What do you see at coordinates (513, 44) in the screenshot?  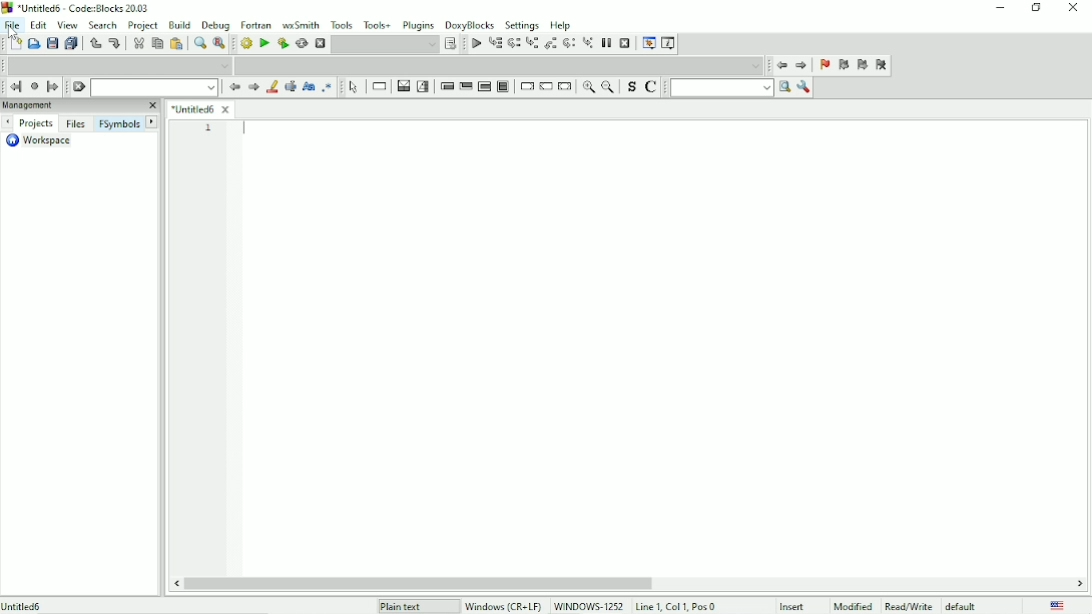 I see `Next line` at bounding box center [513, 44].